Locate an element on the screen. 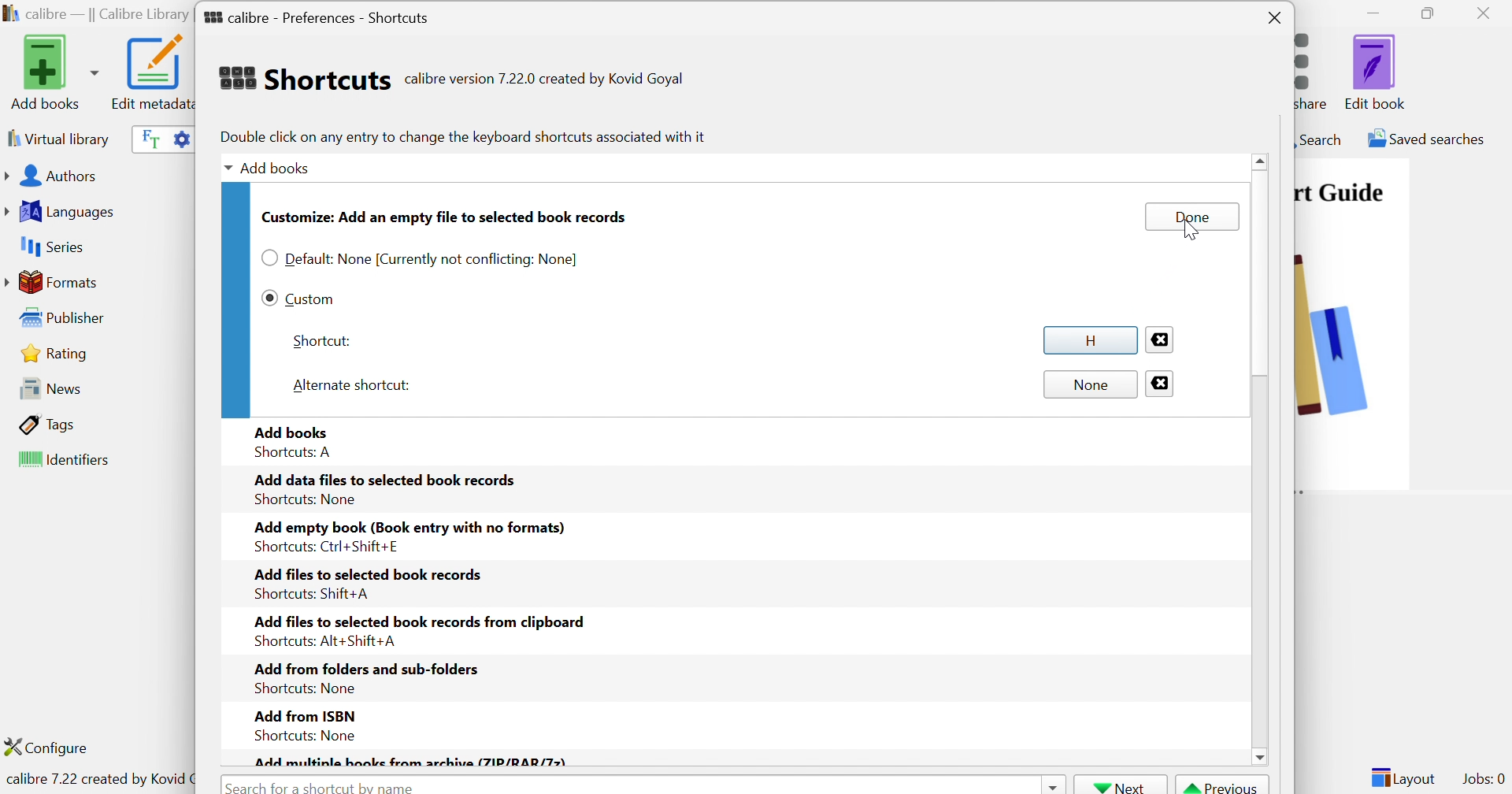  Publisher is located at coordinates (66, 318).